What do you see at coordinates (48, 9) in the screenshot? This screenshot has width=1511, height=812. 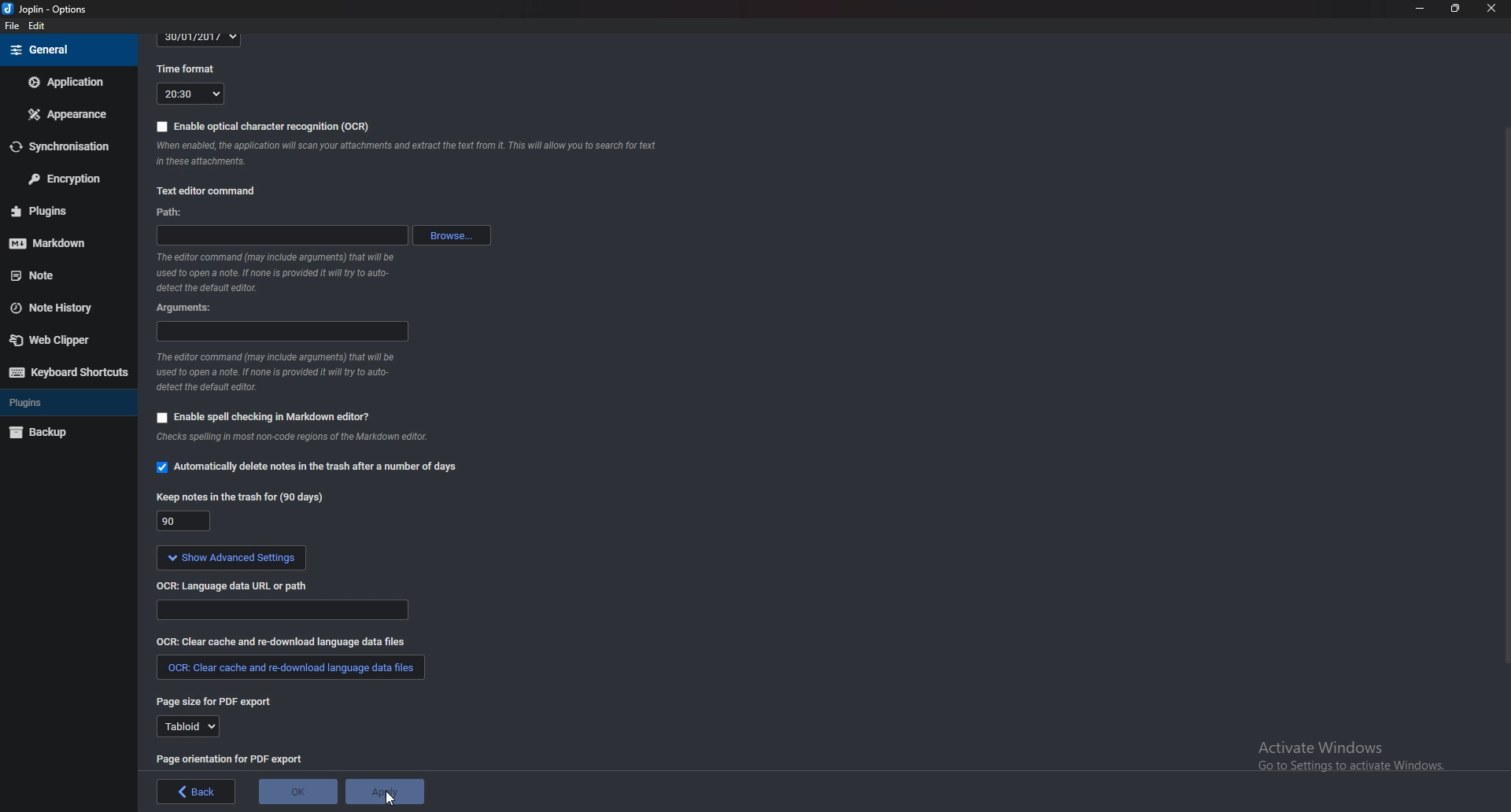 I see `joplin` at bounding box center [48, 9].